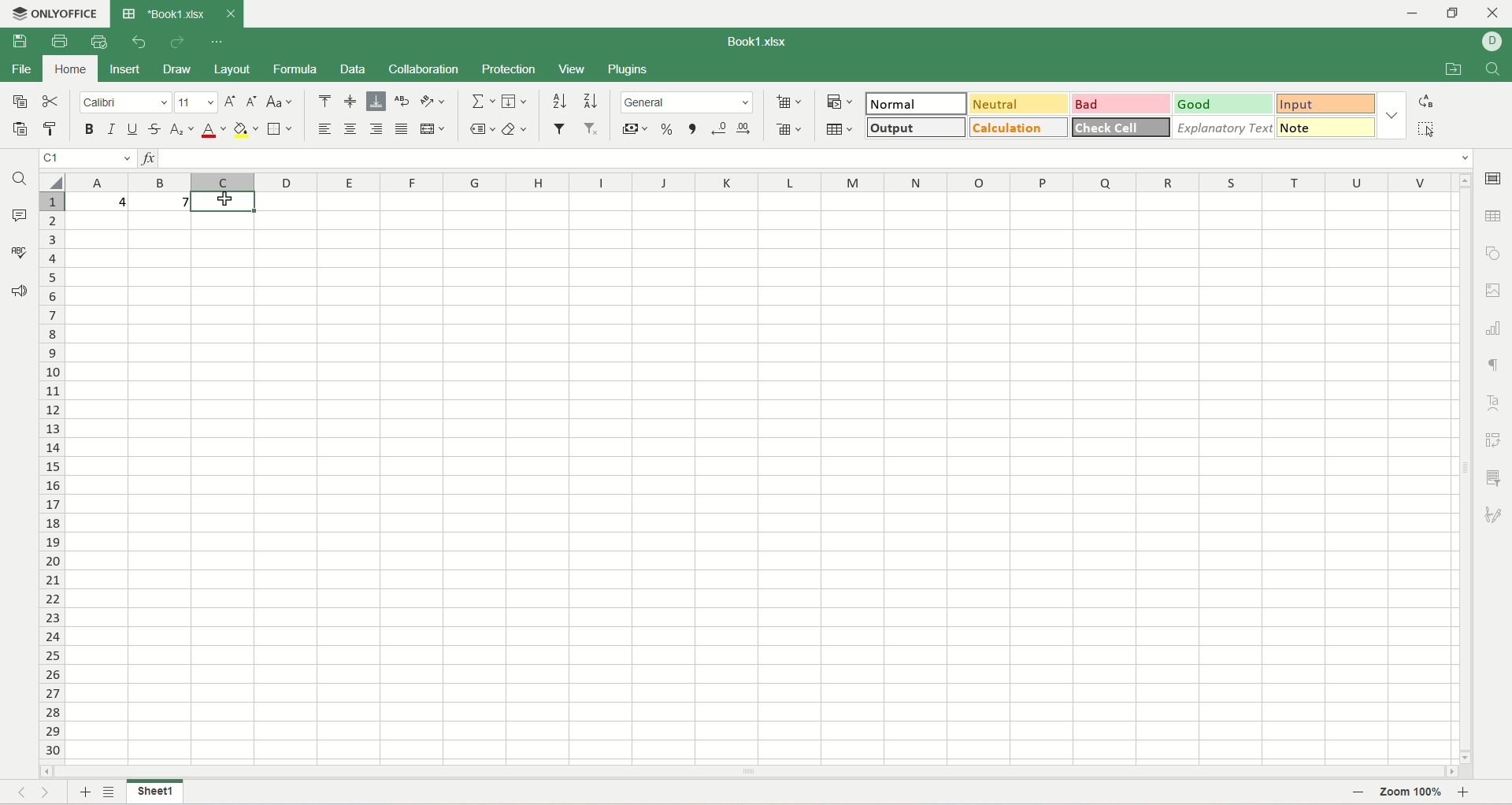  What do you see at coordinates (177, 43) in the screenshot?
I see `redo` at bounding box center [177, 43].